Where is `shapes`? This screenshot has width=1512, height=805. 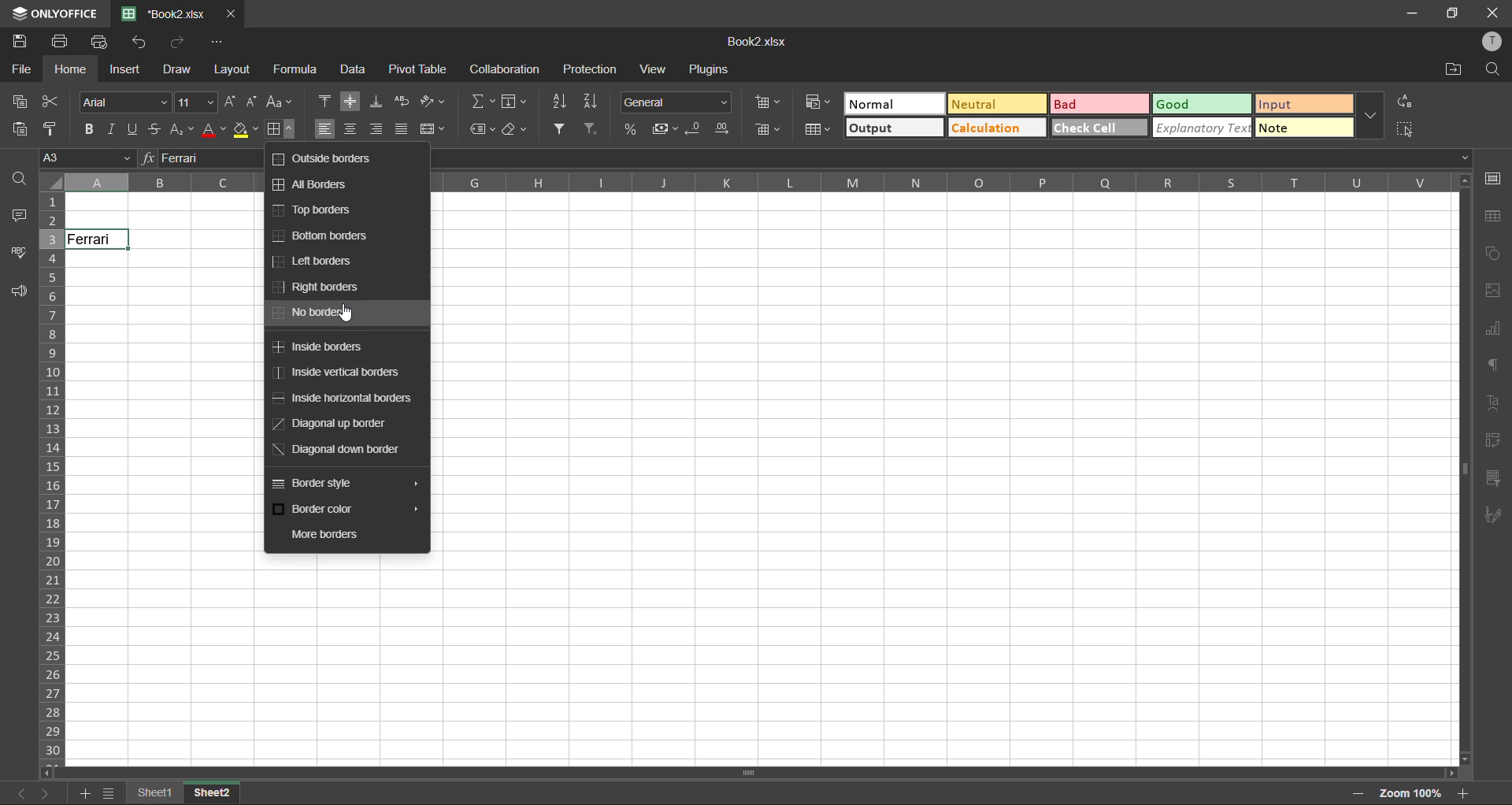
shapes is located at coordinates (1492, 251).